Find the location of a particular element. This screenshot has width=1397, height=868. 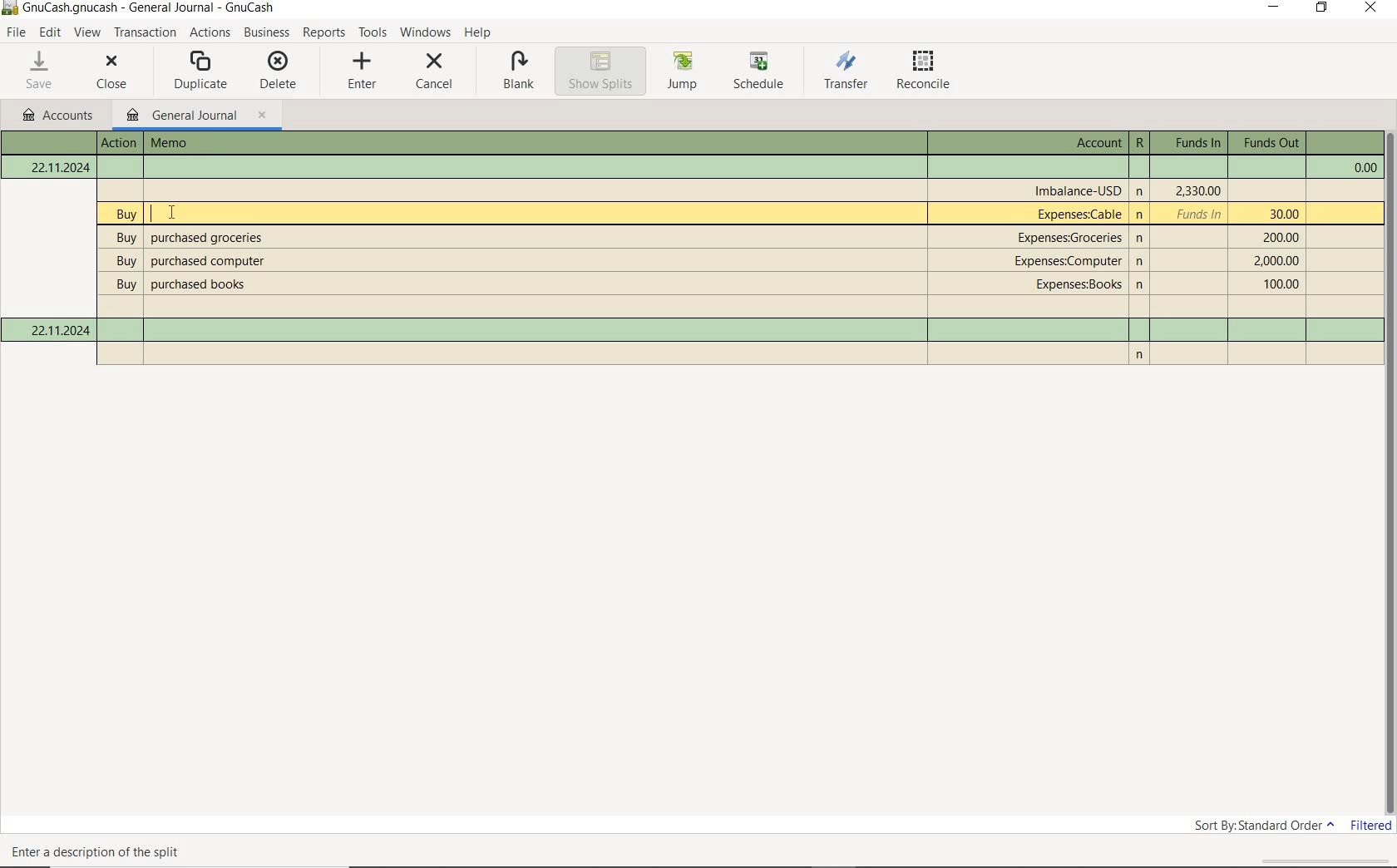

Text is located at coordinates (96, 853).